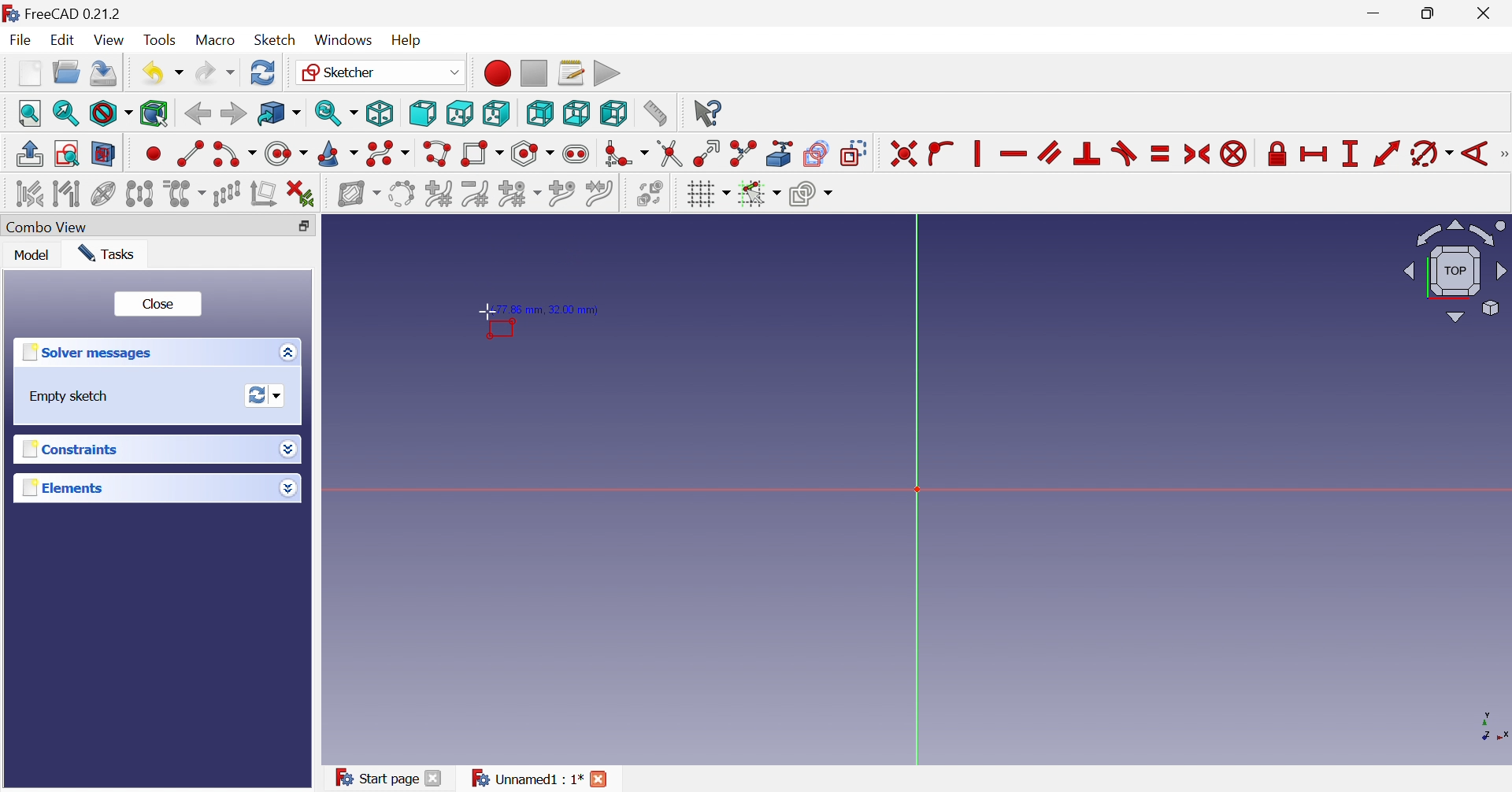 This screenshot has height=792, width=1512. I want to click on Constrain distance, so click(1385, 154).